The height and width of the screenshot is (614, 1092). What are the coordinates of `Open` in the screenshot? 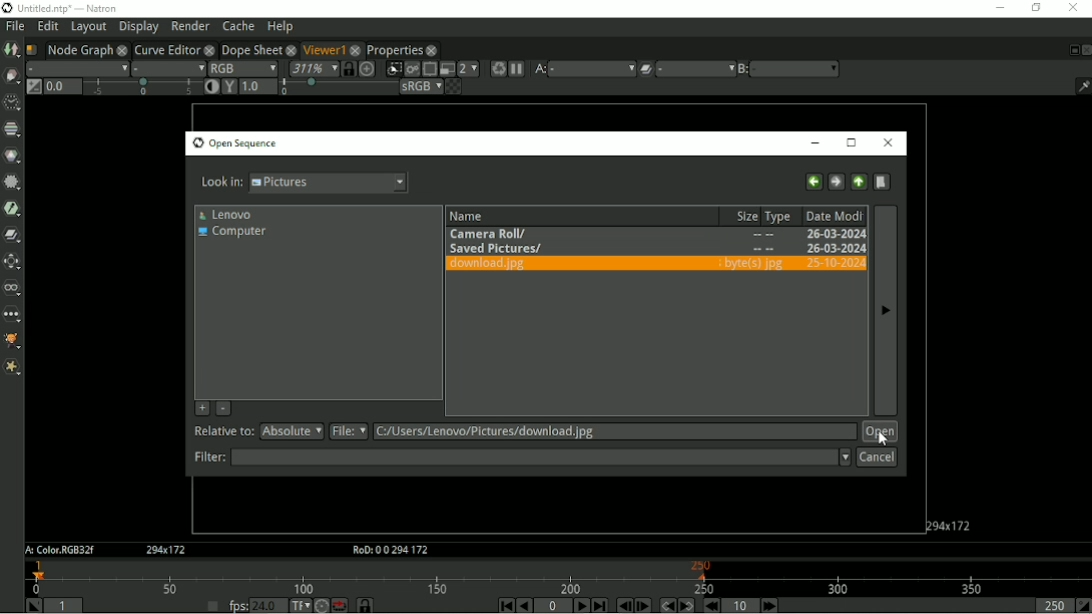 It's located at (878, 432).